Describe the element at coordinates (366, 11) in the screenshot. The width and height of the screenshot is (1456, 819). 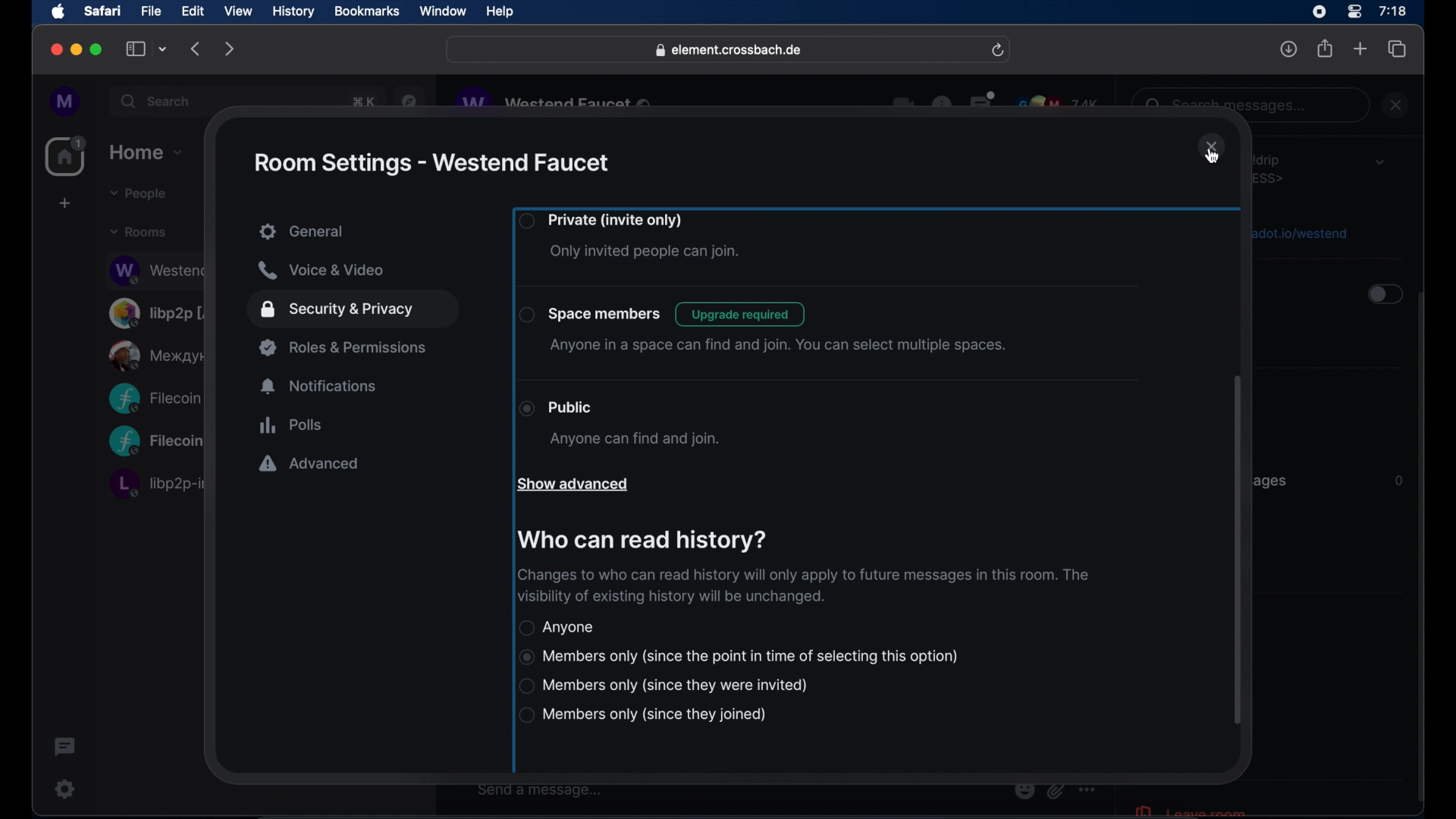
I see `bookmarks` at that location.